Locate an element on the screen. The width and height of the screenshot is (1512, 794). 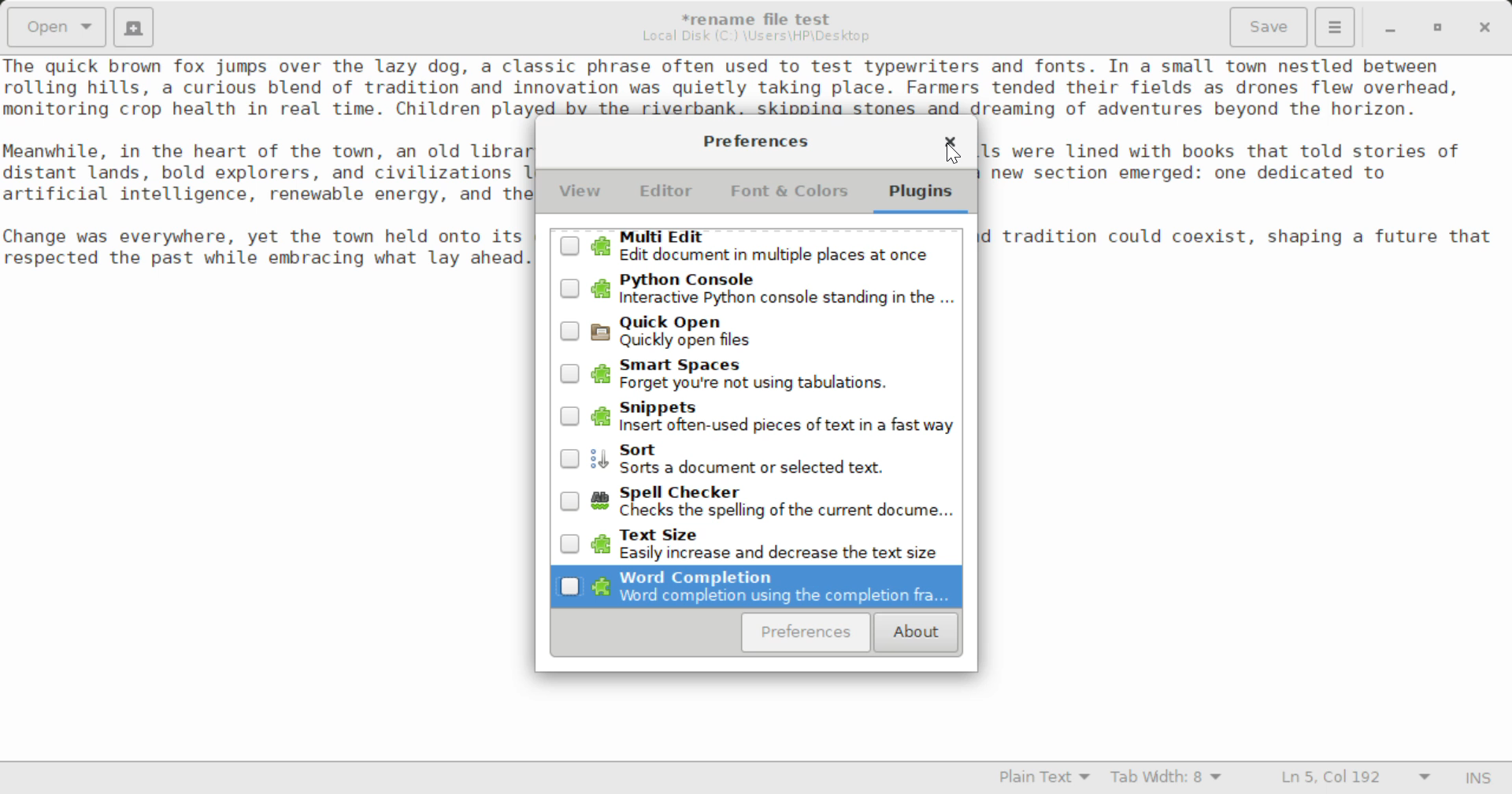
Sort Plugin Button Unselected is located at coordinates (758, 461).